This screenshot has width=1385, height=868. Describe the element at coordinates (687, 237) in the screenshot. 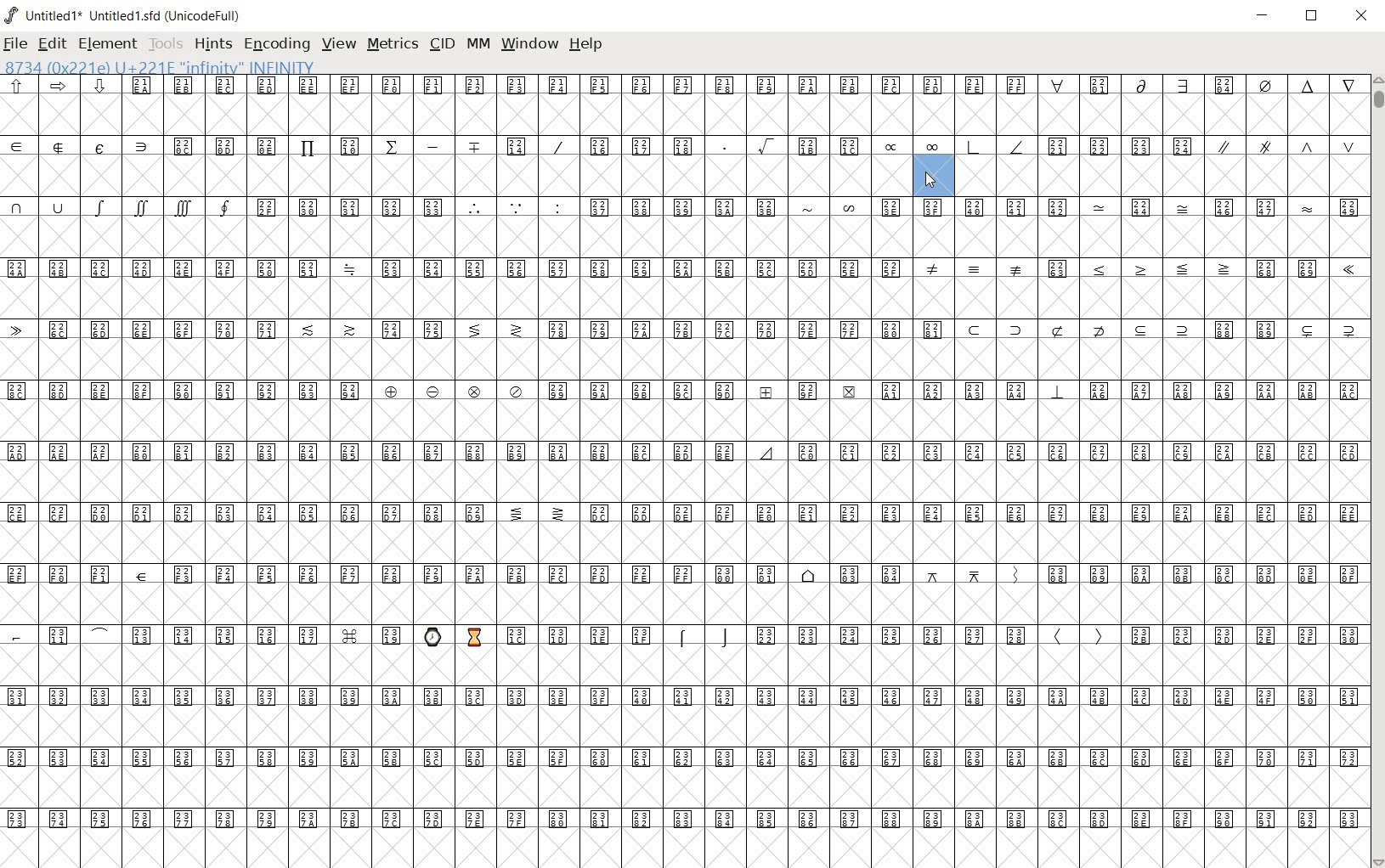

I see `empty glyph slots` at that location.